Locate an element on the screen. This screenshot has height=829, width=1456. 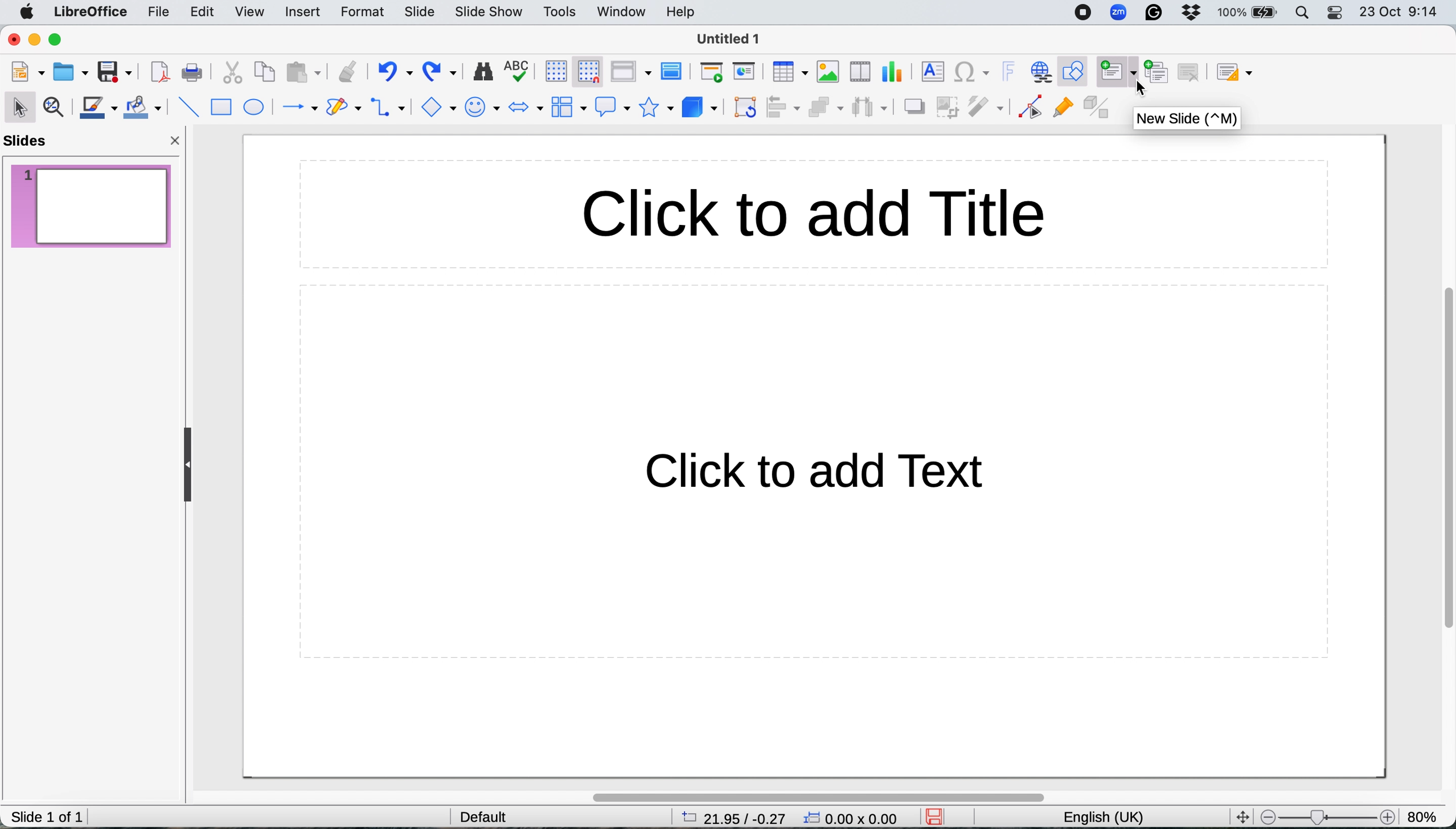
insert is located at coordinates (303, 11).